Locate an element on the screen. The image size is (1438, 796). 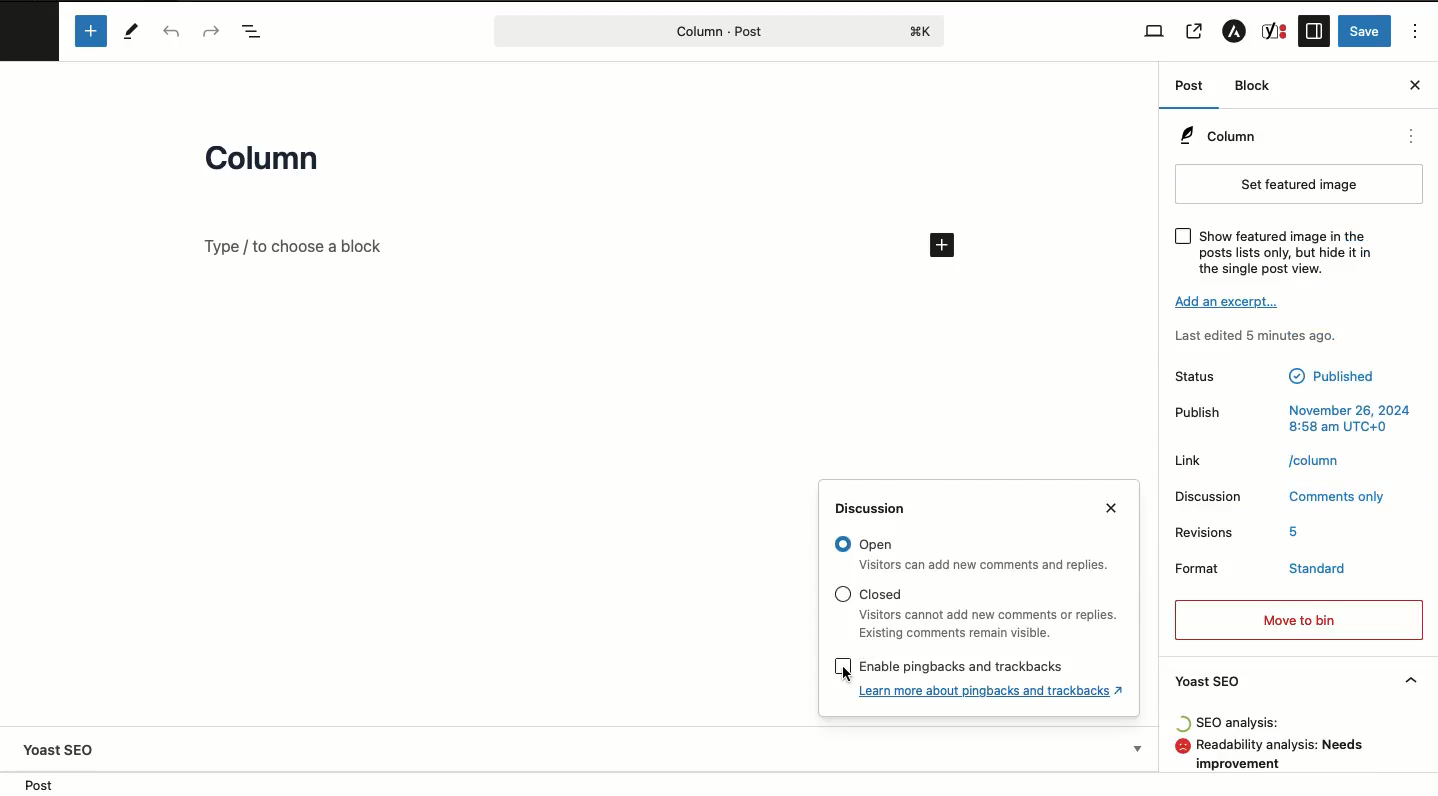
Close is located at coordinates (1111, 507).